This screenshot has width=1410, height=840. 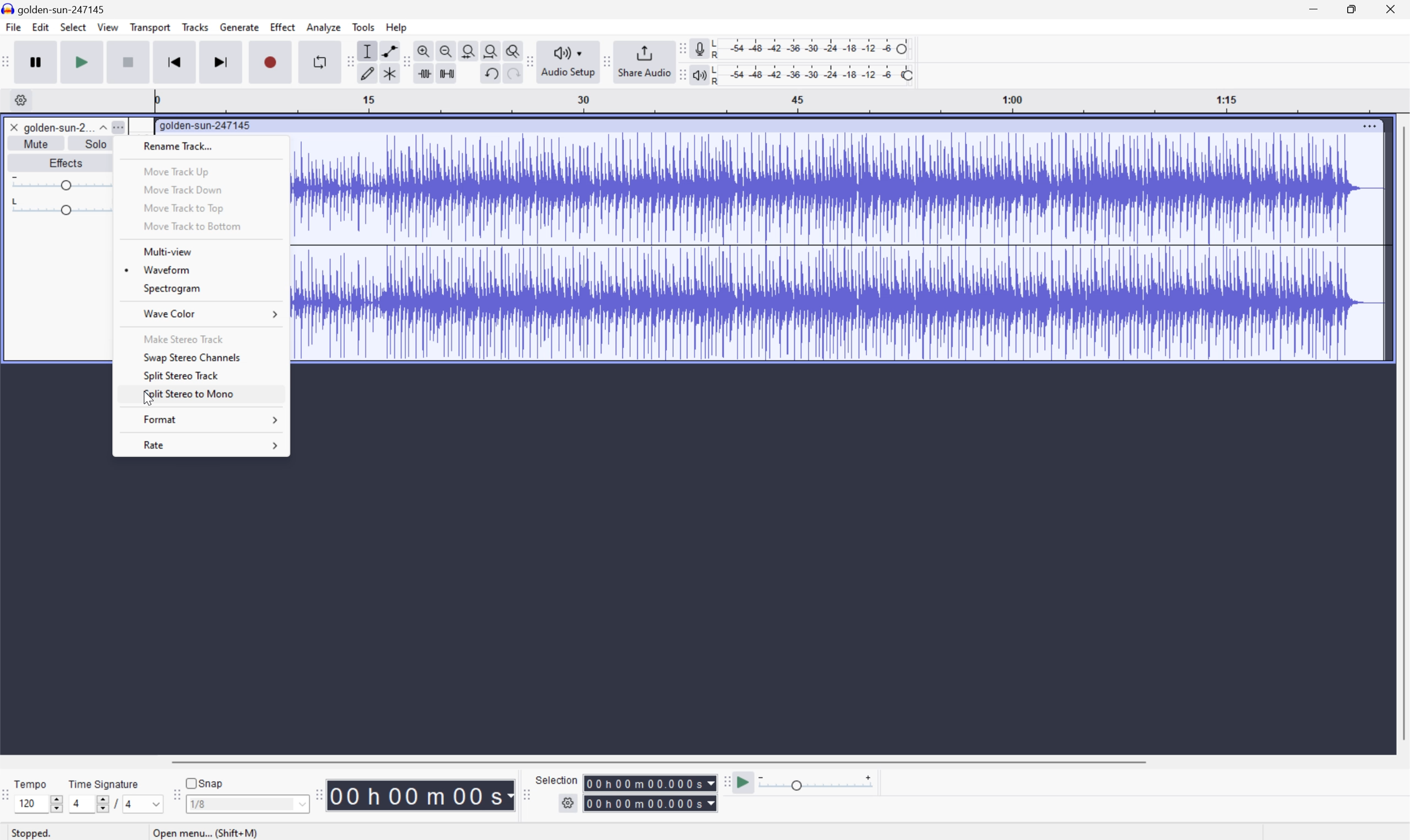 What do you see at coordinates (421, 796) in the screenshot?
I see `Time` at bounding box center [421, 796].